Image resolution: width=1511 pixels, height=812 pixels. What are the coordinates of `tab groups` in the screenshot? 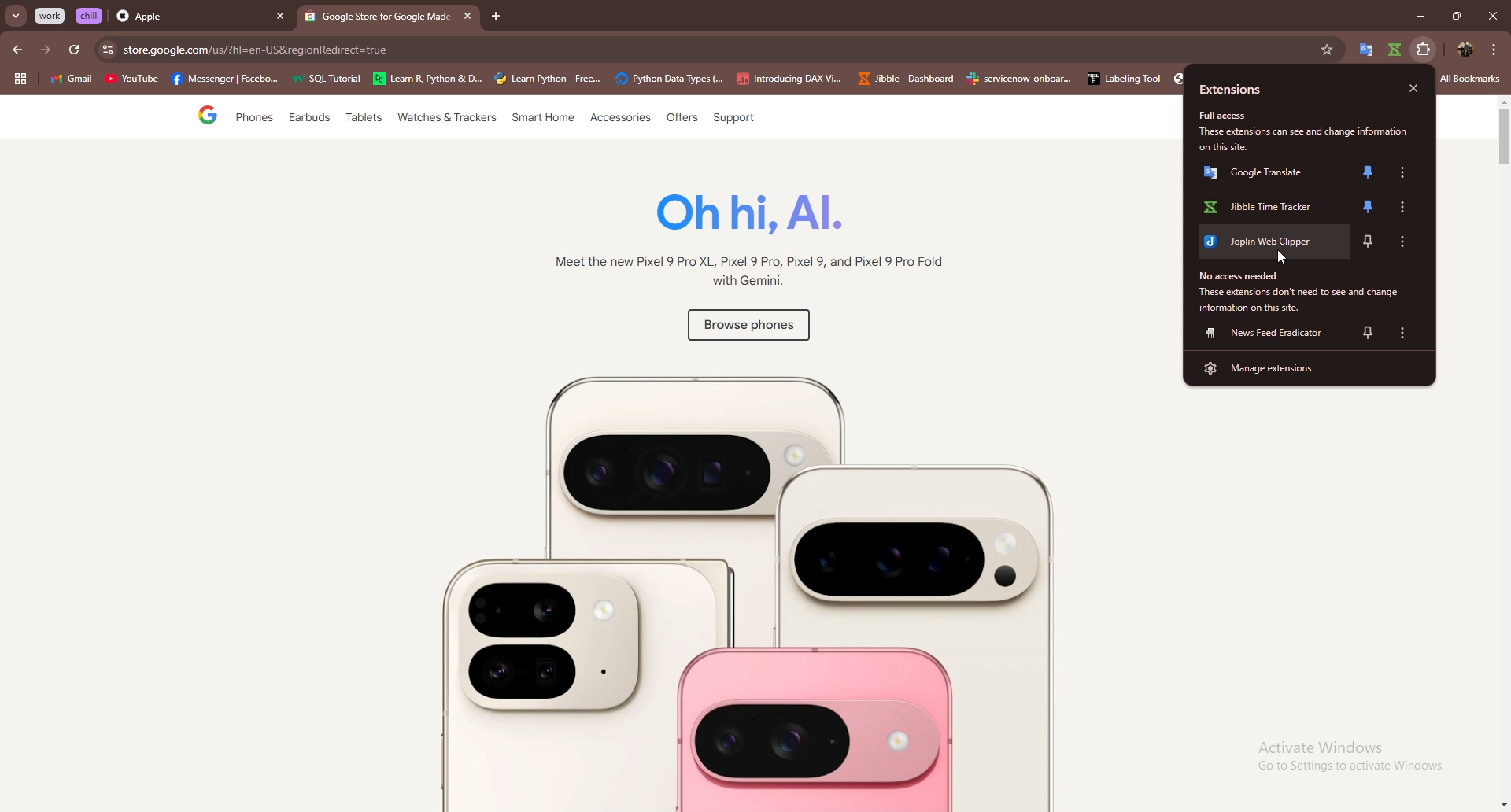 It's located at (20, 79).